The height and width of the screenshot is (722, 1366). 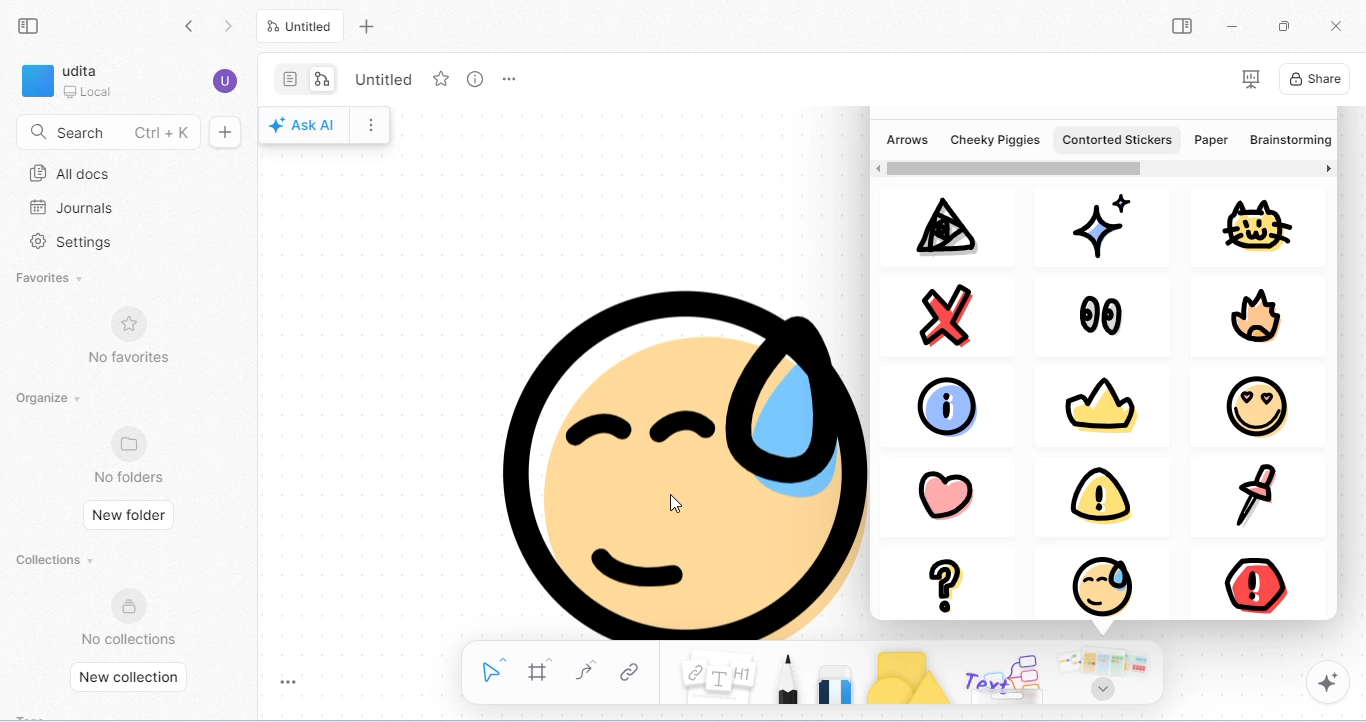 I want to click on toggle zoom, so click(x=291, y=681).